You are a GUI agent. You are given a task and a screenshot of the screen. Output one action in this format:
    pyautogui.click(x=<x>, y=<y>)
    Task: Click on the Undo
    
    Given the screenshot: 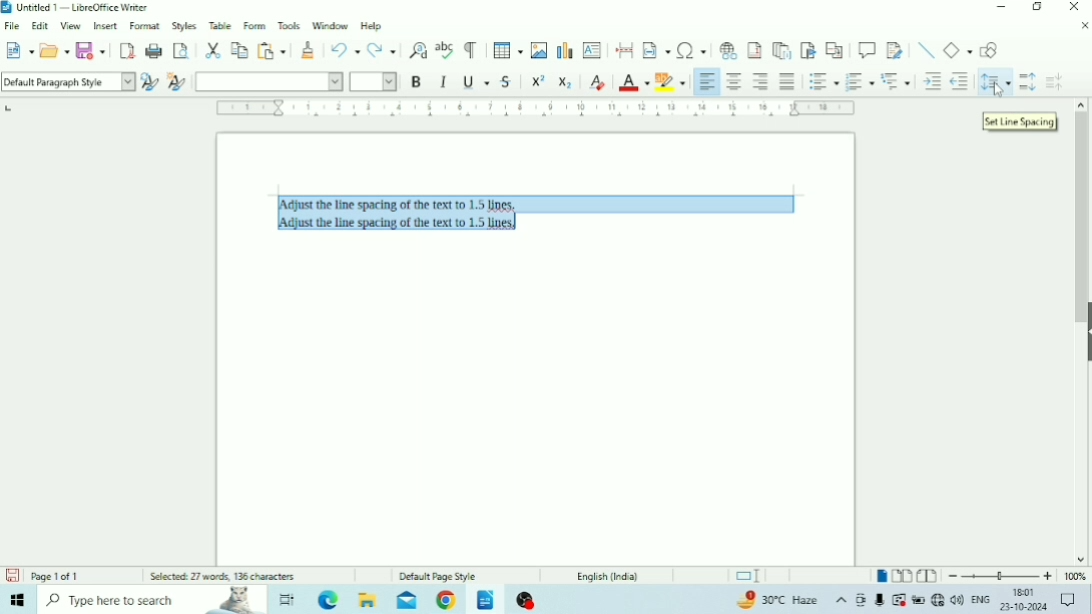 What is the action you would take?
    pyautogui.click(x=345, y=49)
    